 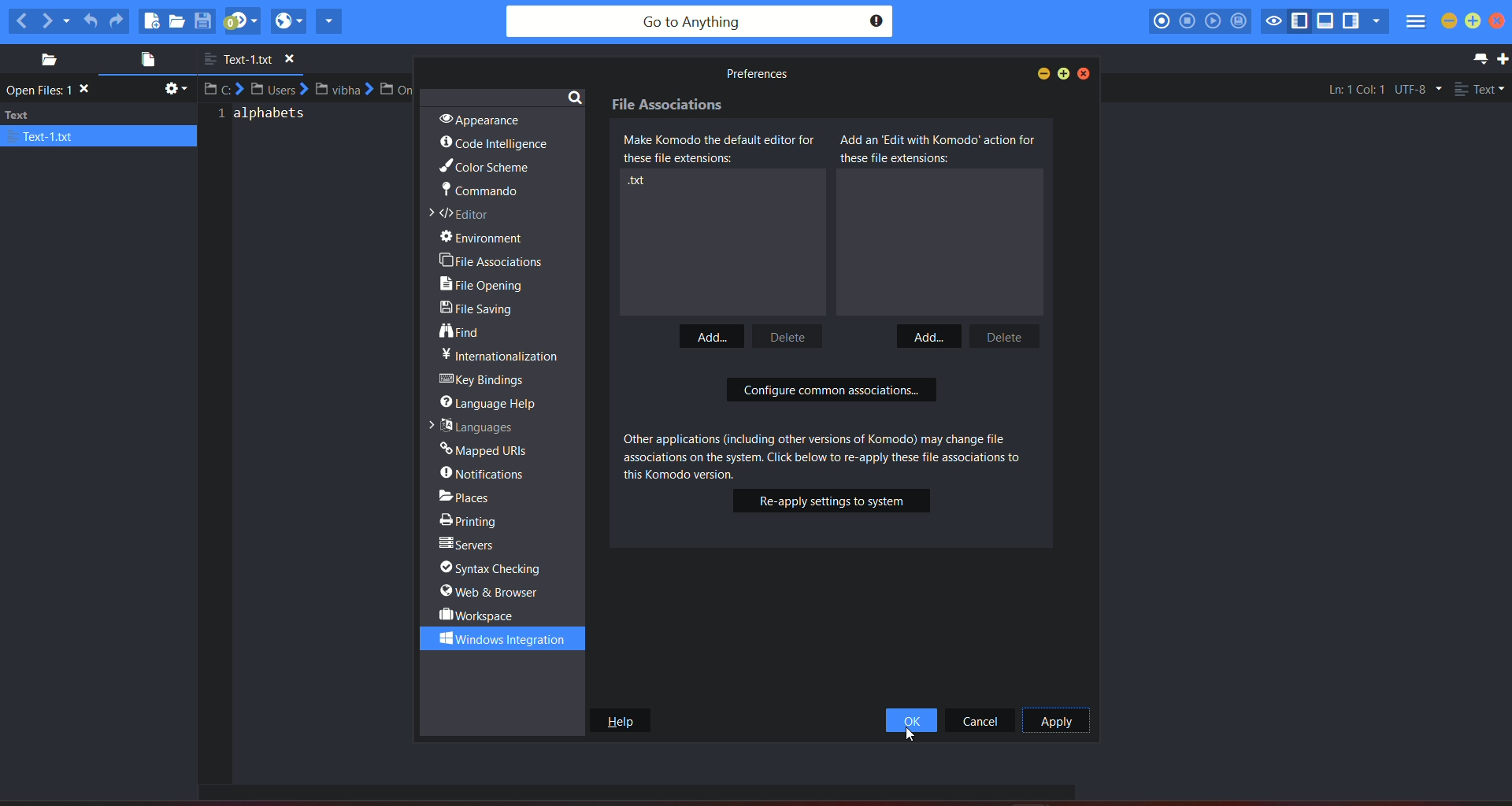 What do you see at coordinates (52, 91) in the screenshot?
I see `text` at bounding box center [52, 91].